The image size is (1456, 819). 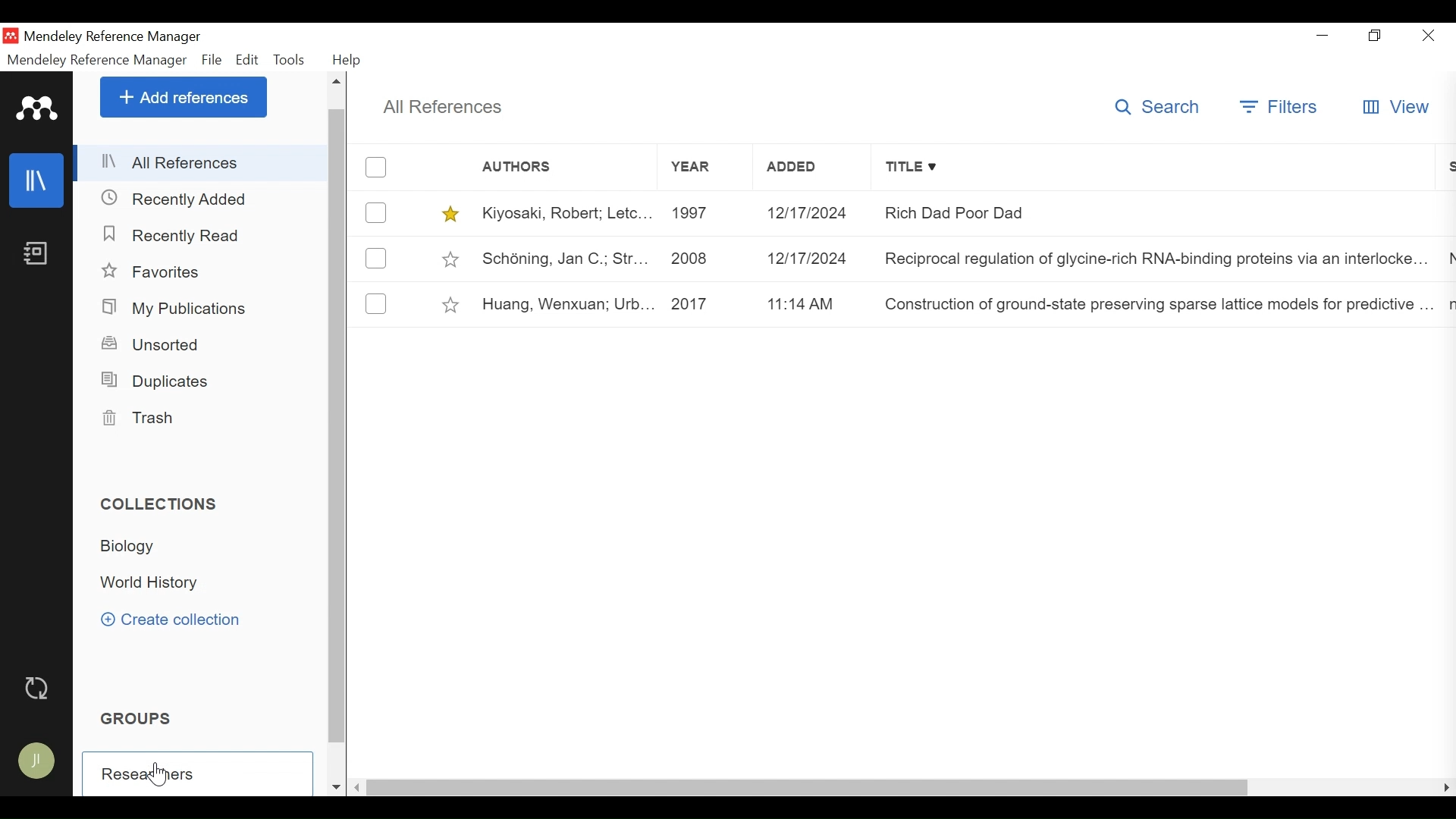 I want to click on Scroll down, so click(x=338, y=786).